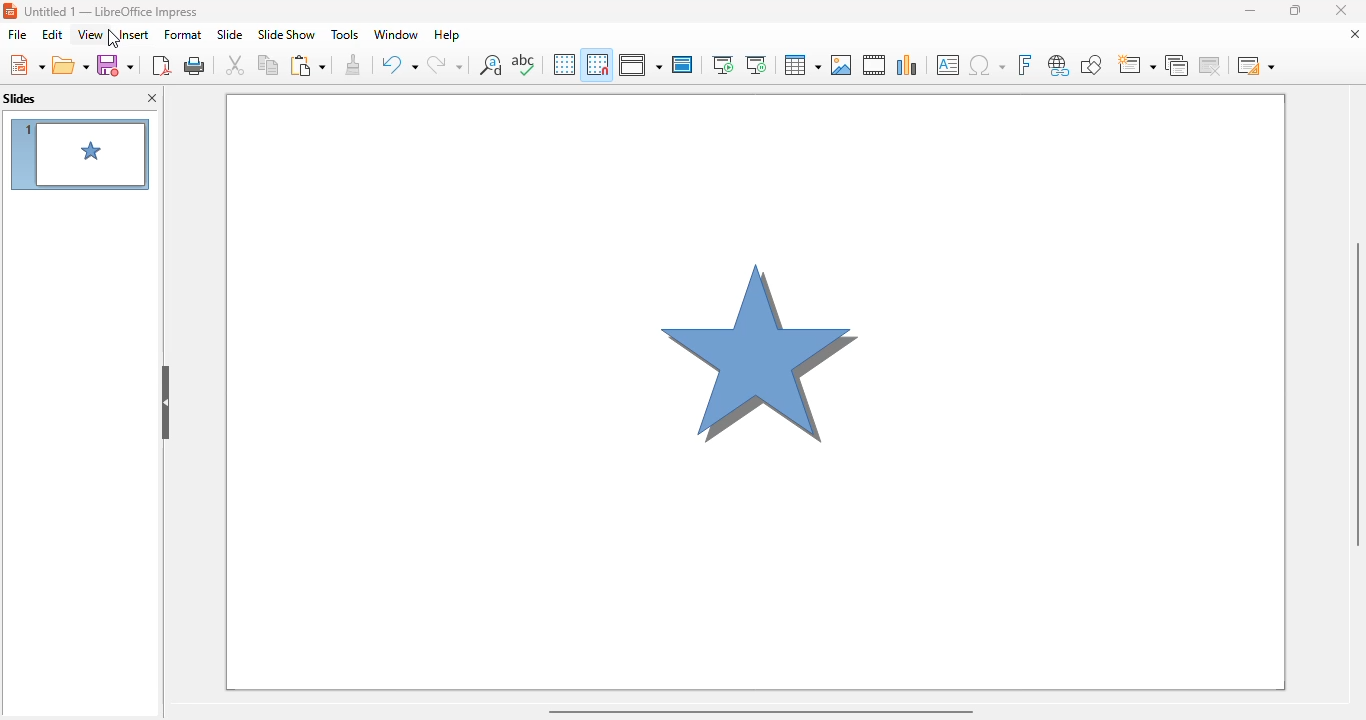 The width and height of the screenshot is (1366, 720). I want to click on horizontal scroll bar, so click(760, 711).